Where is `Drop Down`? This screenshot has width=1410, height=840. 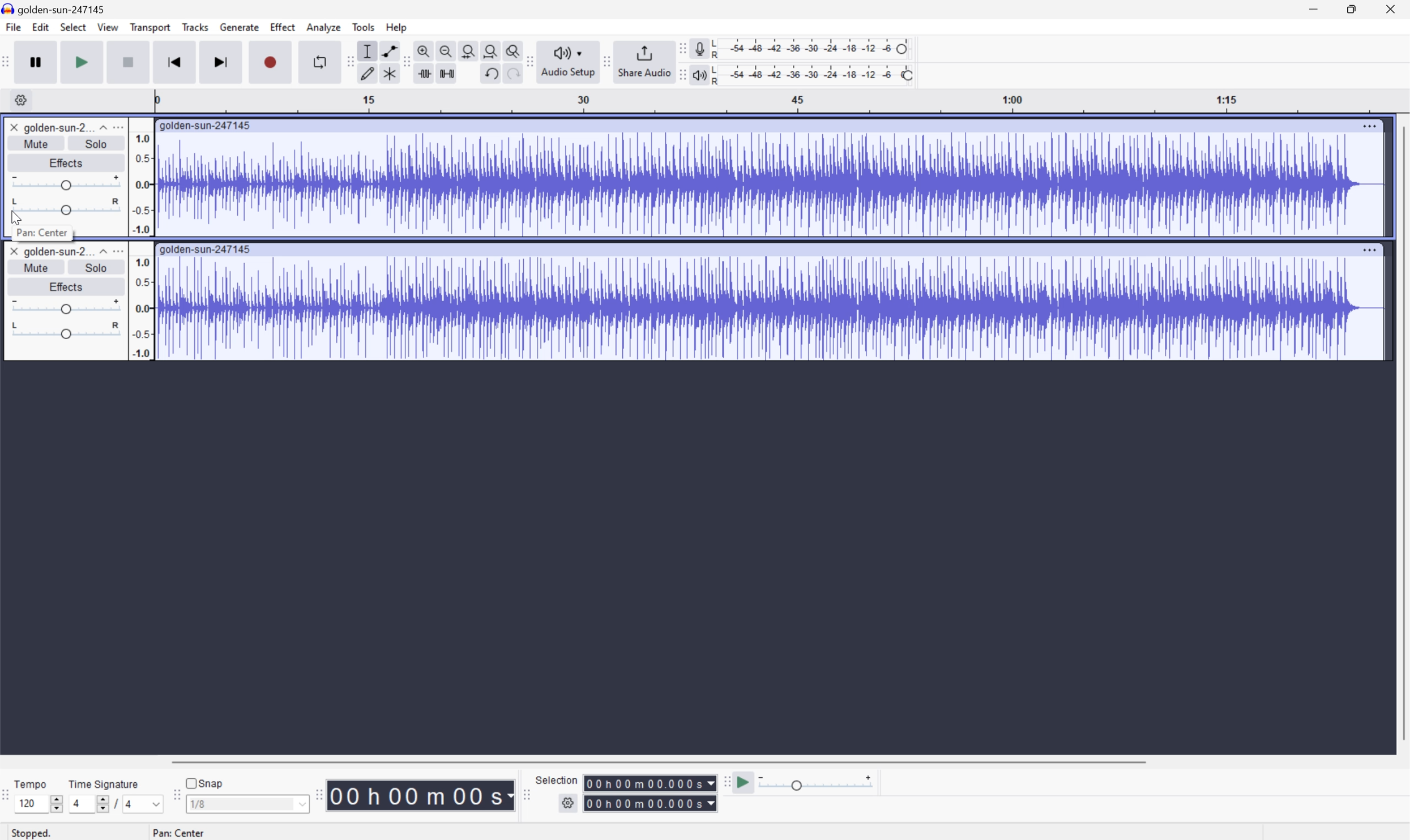
Drop Down is located at coordinates (156, 803).